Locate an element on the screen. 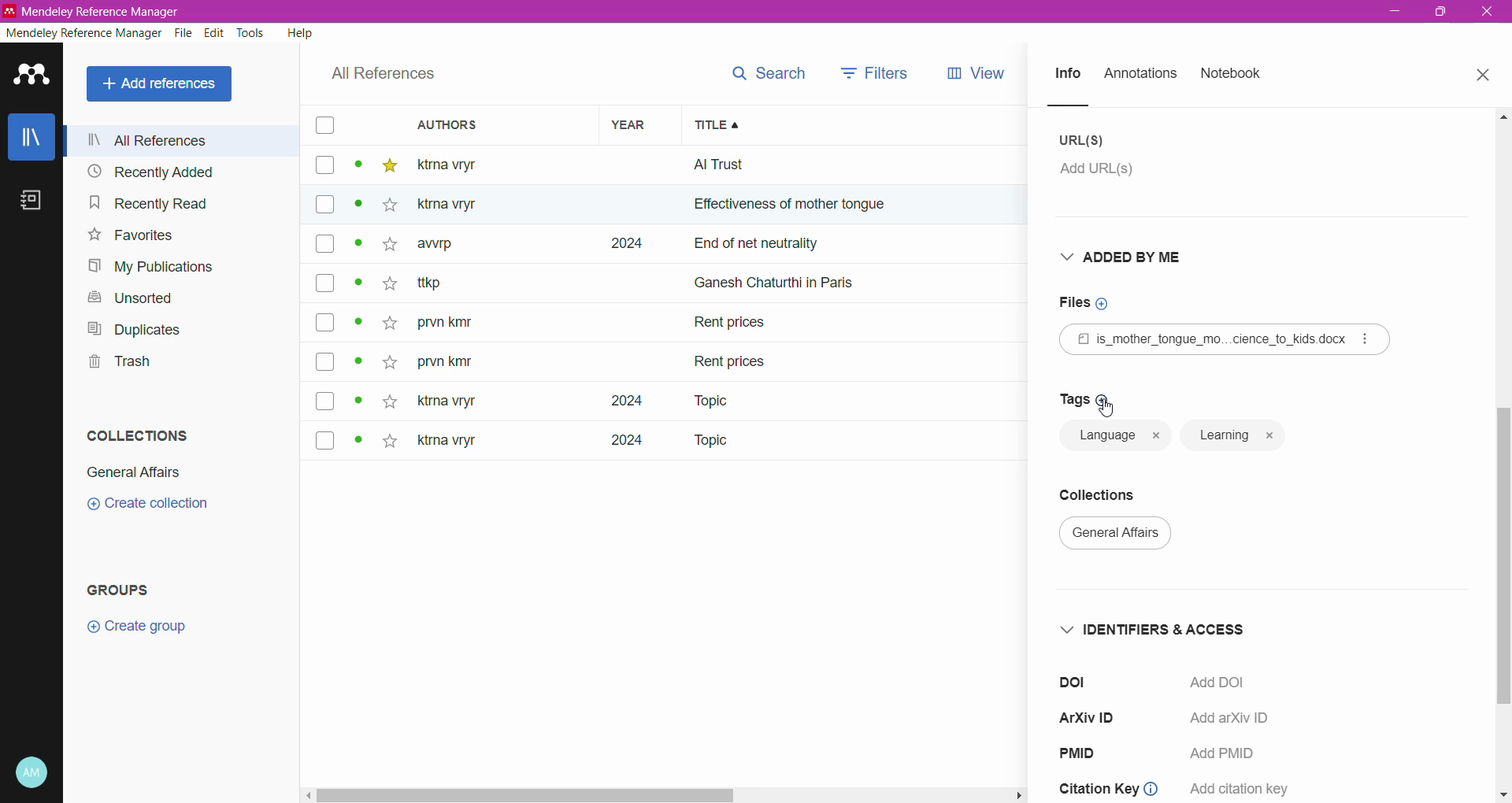 The width and height of the screenshot is (1512, 803). dot  is located at coordinates (357, 168).